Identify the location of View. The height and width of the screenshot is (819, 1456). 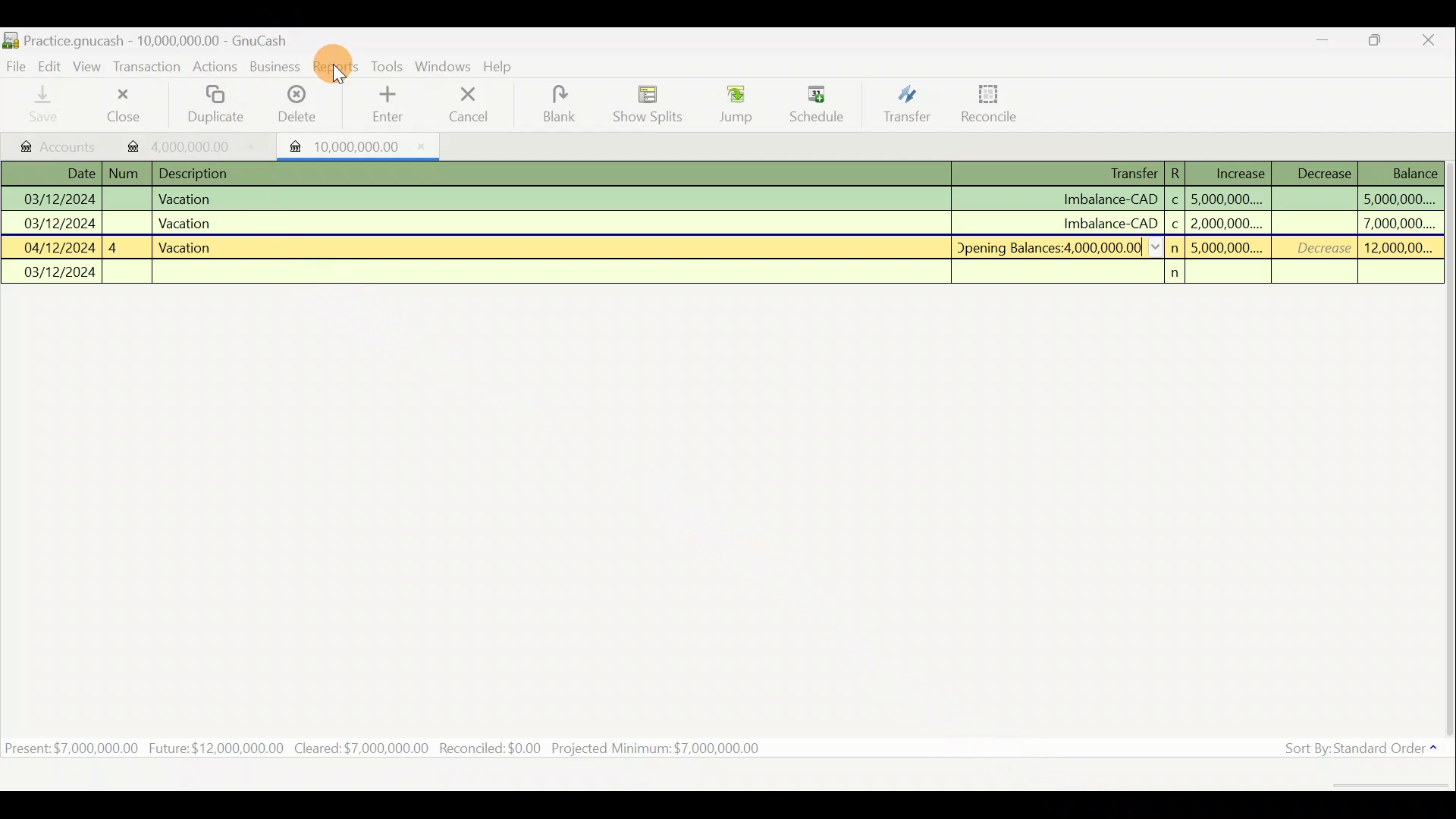
(88, 67).